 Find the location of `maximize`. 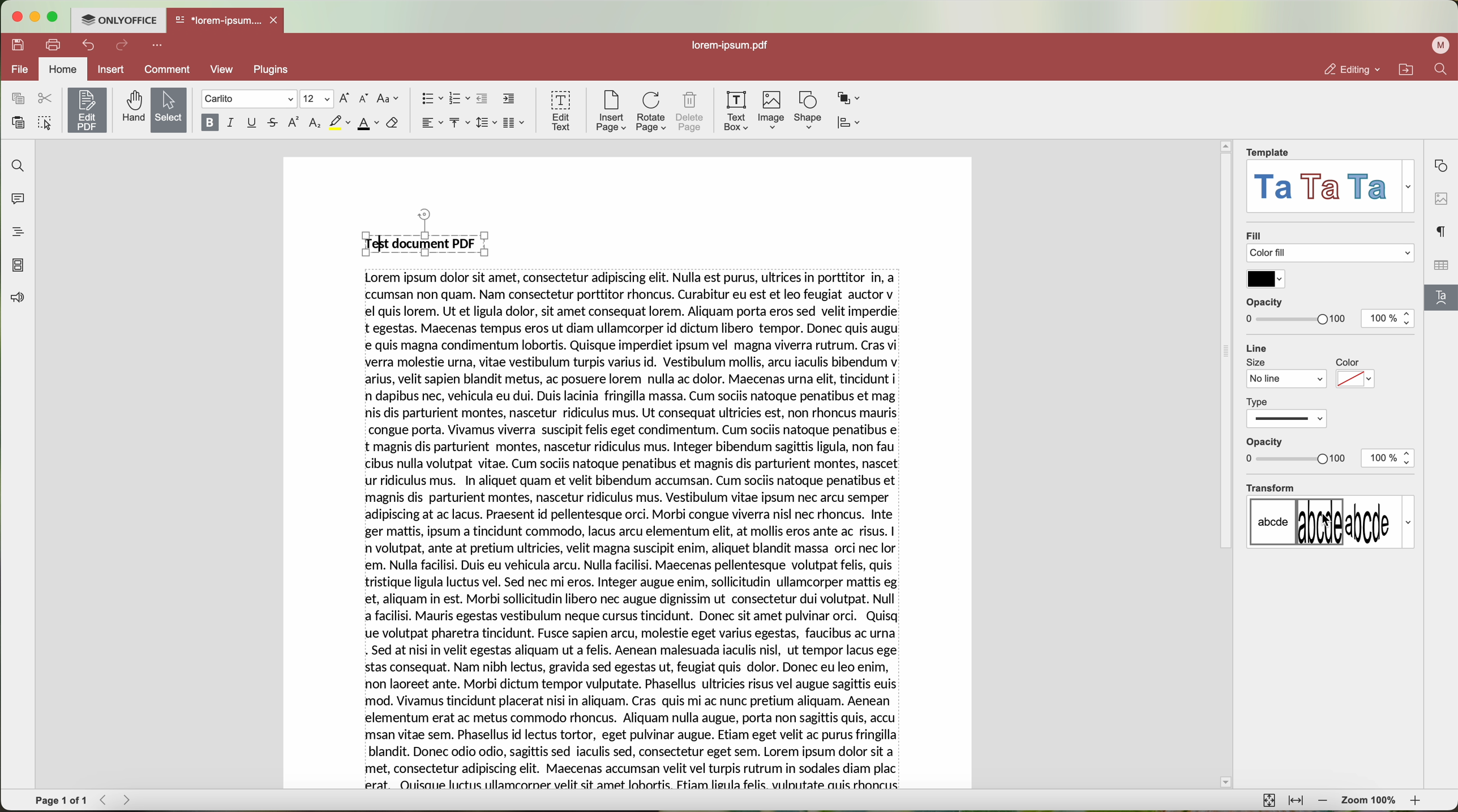

maximize is located at coordinates (58, 16).